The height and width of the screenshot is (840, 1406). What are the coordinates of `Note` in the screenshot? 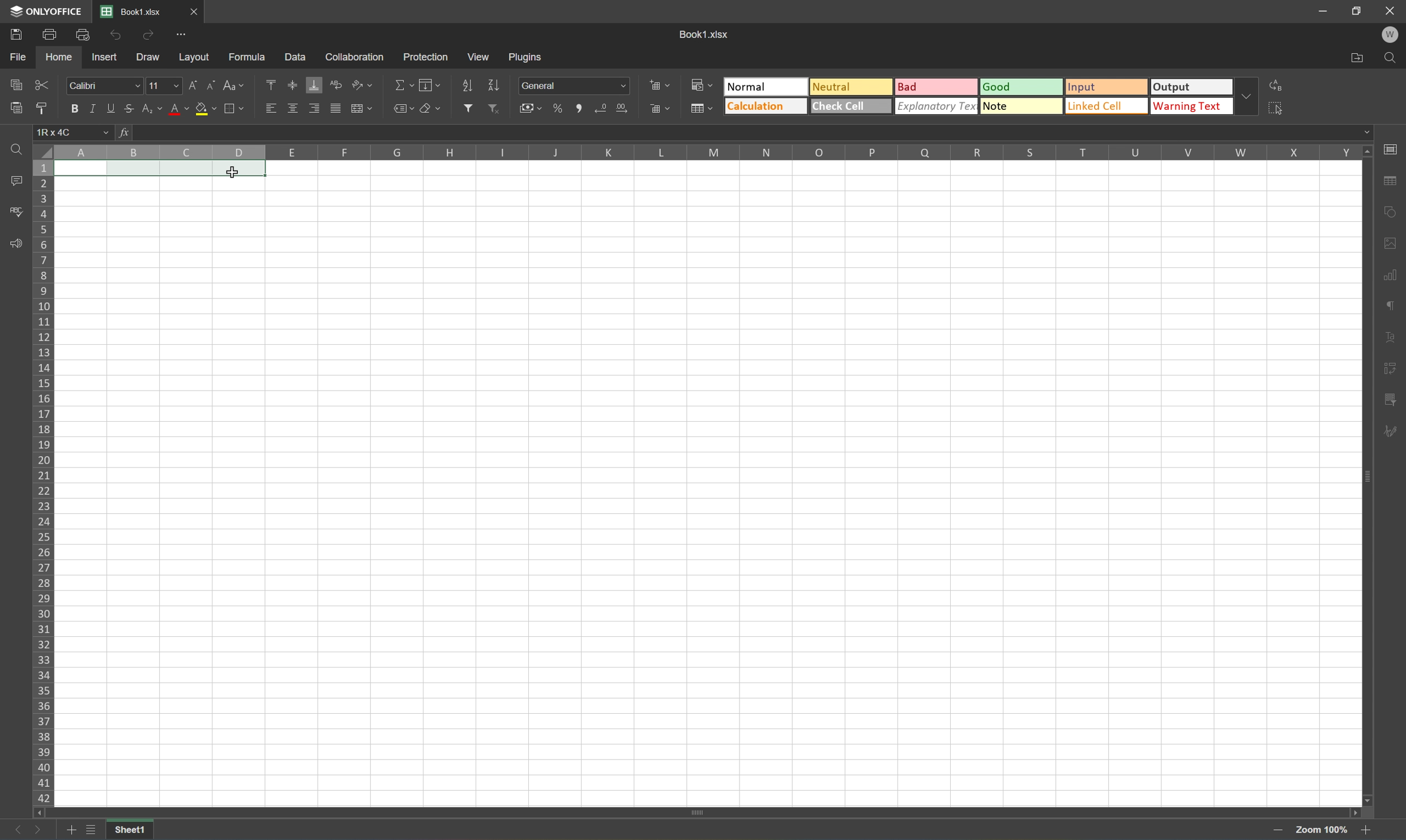 It's located at (1020, 106).